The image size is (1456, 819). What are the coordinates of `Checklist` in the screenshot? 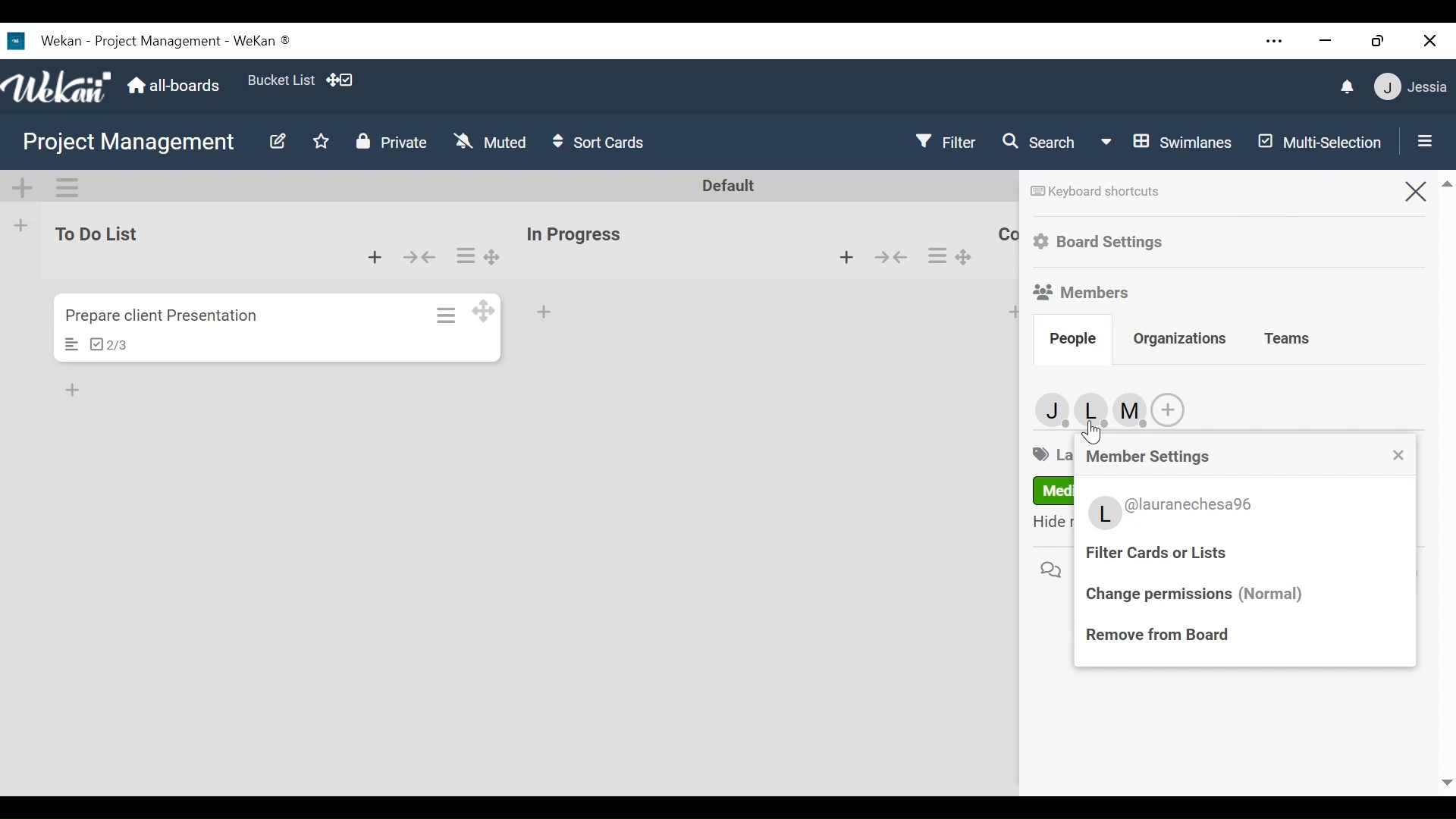 It's located at (108, 344).